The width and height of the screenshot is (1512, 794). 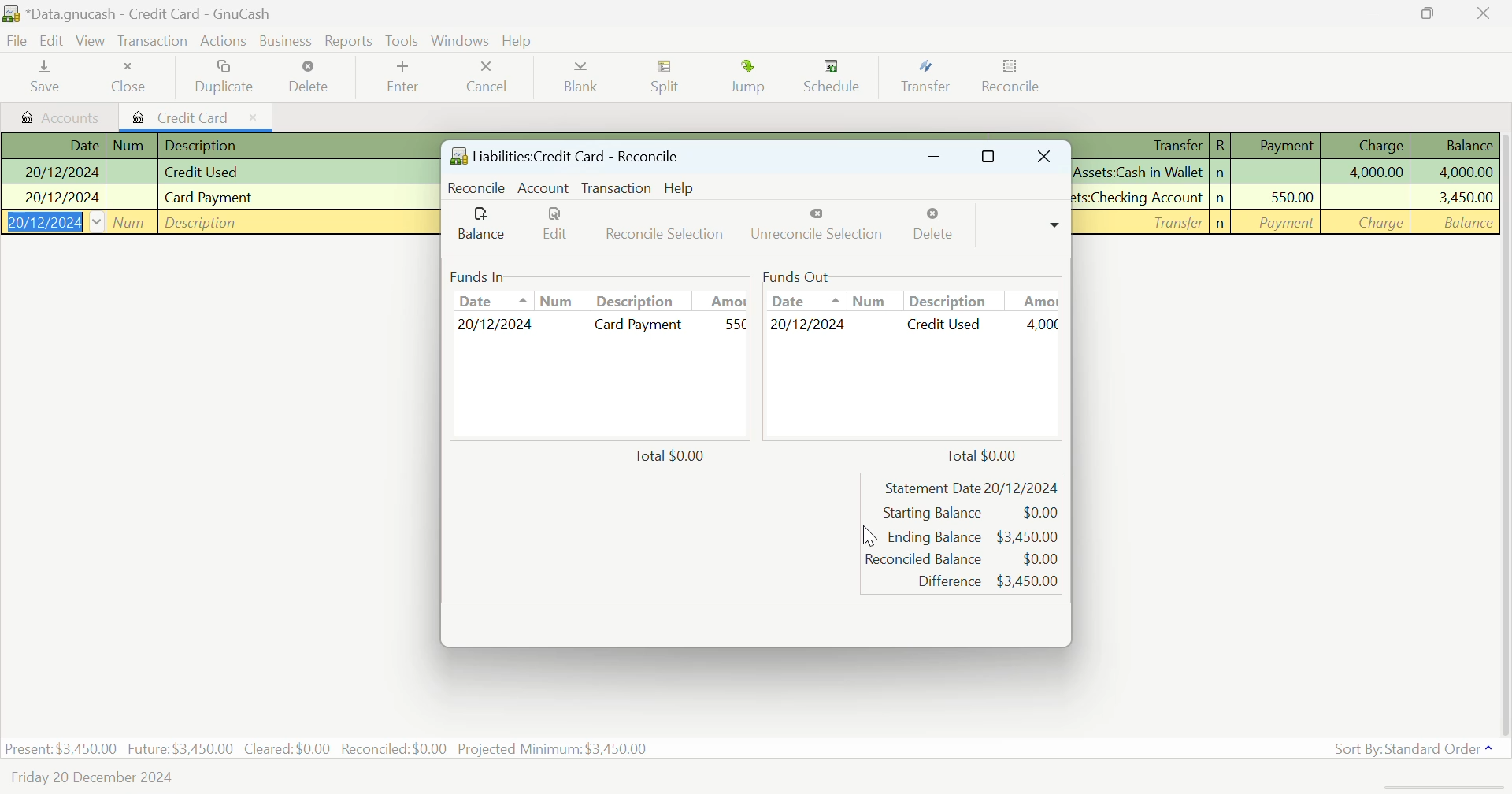 What do you see at coordinates (1284, 197) in the screenshot?
I see `Card Payment` at bounding box center [1284, 197].